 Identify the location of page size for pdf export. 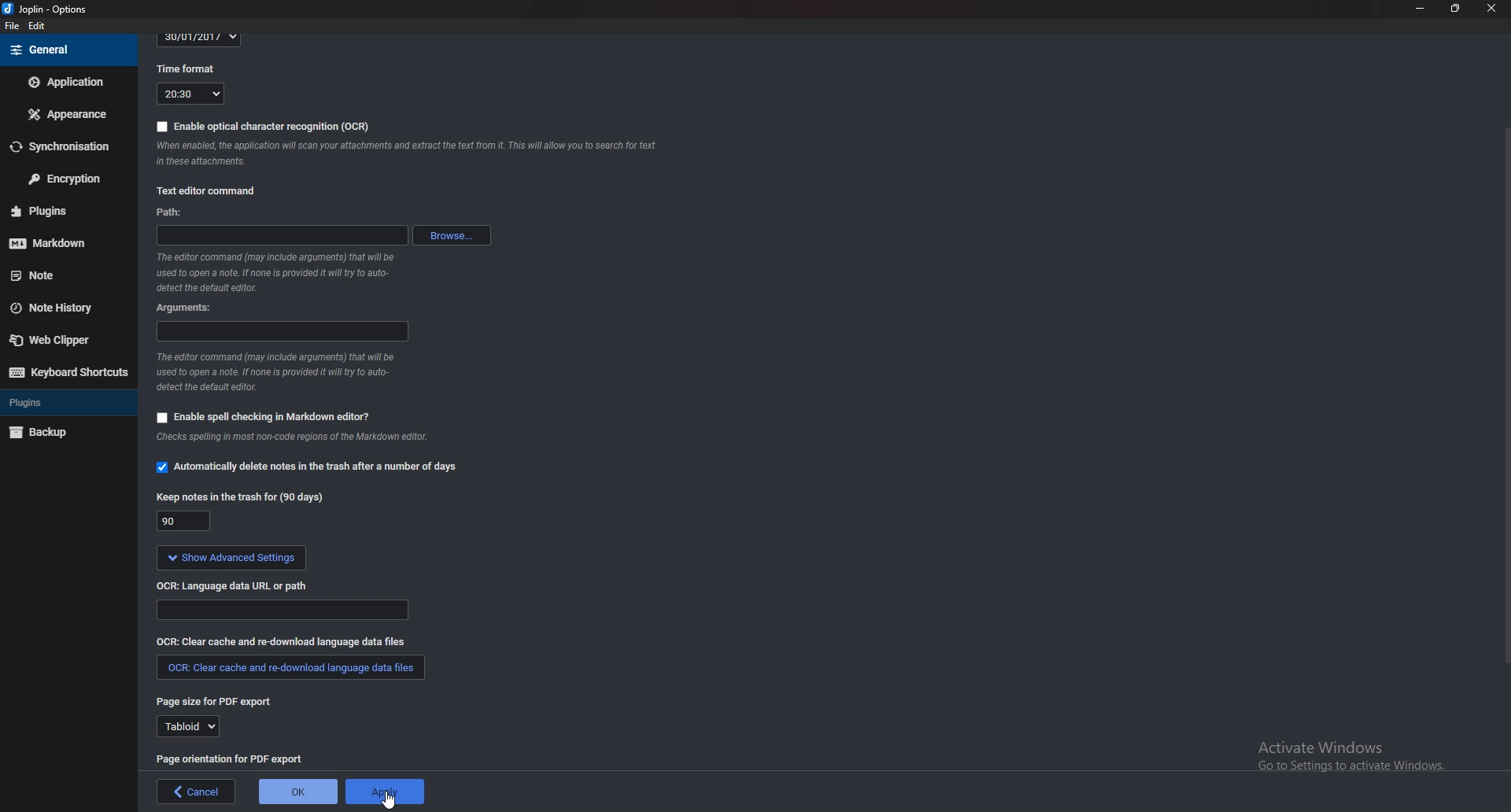
(219, 703).